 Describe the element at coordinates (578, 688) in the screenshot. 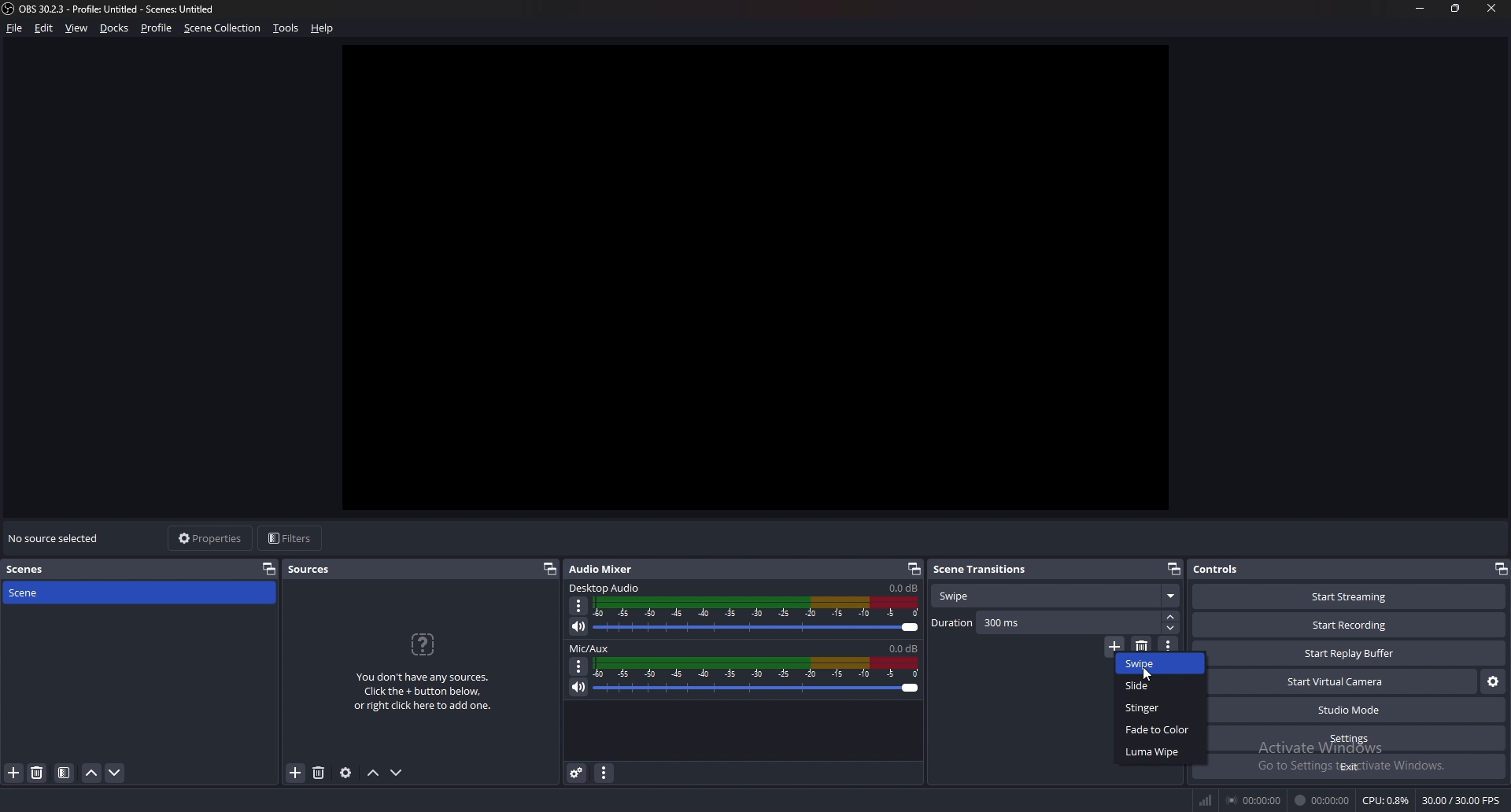

I see `mute` at that location.